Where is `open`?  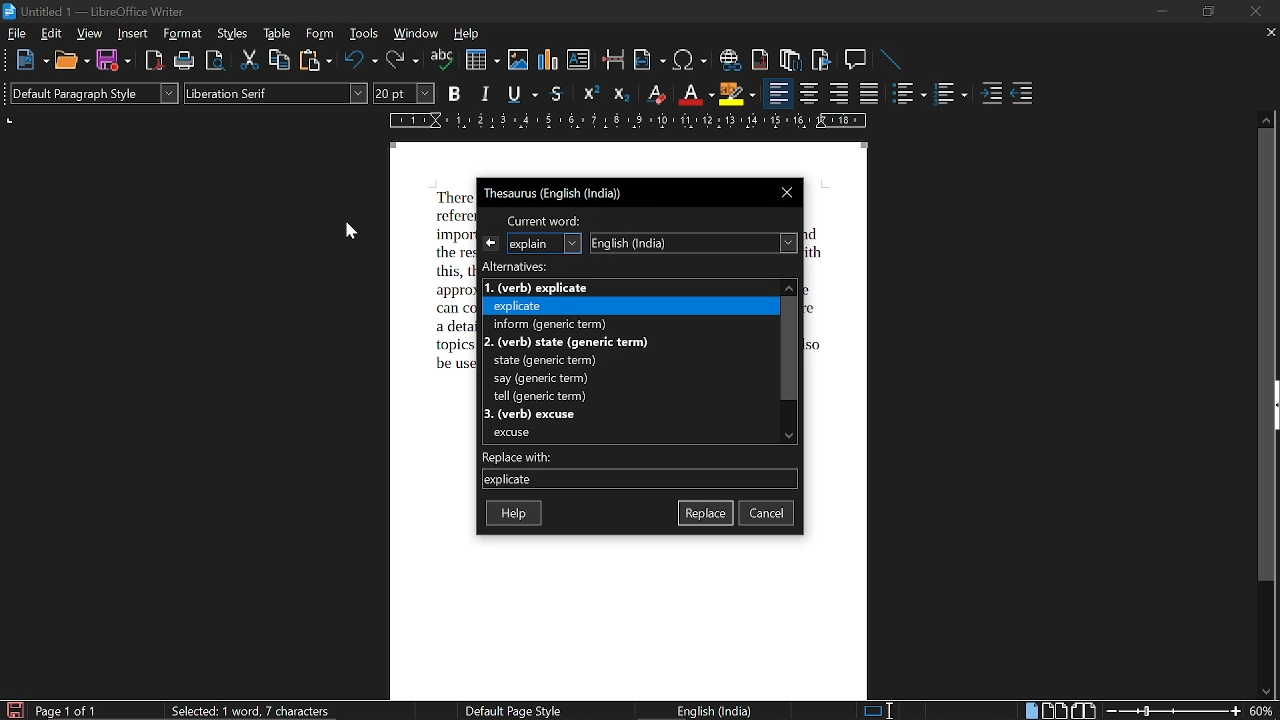
open is located at coordinates (71, 61).